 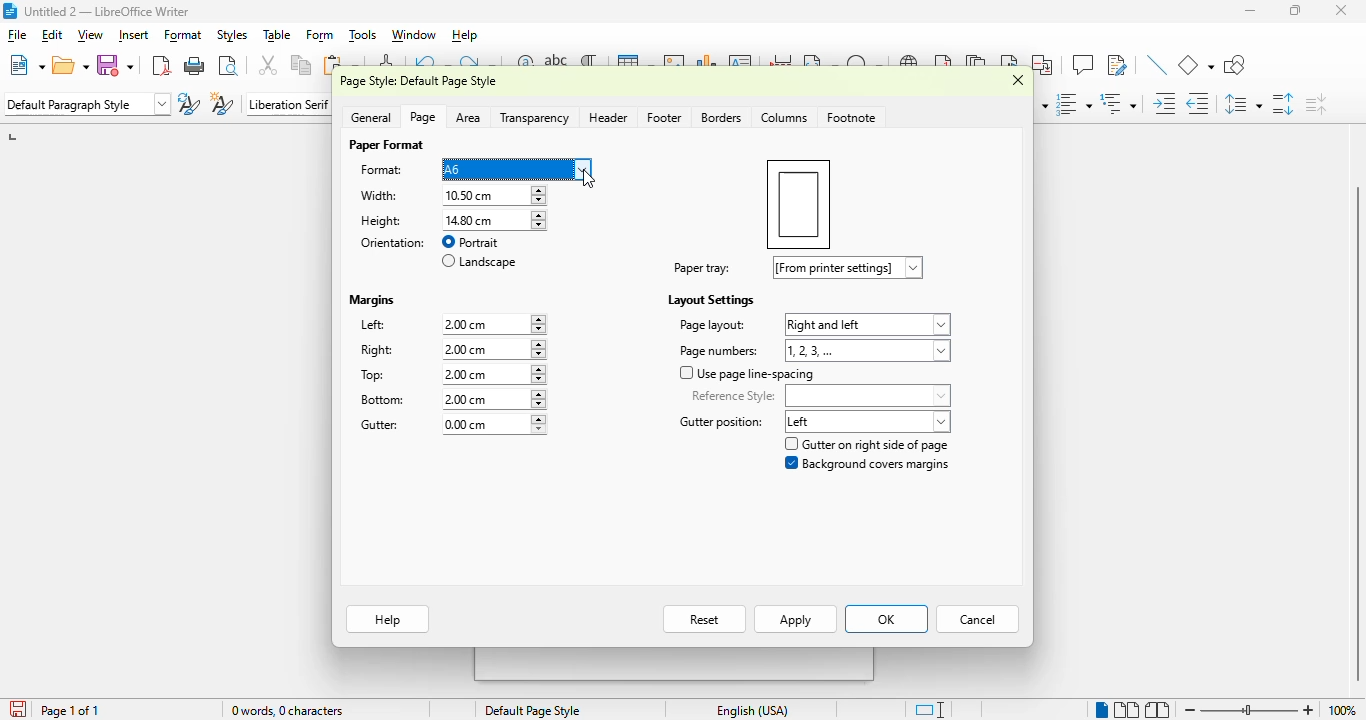 I want to click on paper format, so click(x=386, y=145).